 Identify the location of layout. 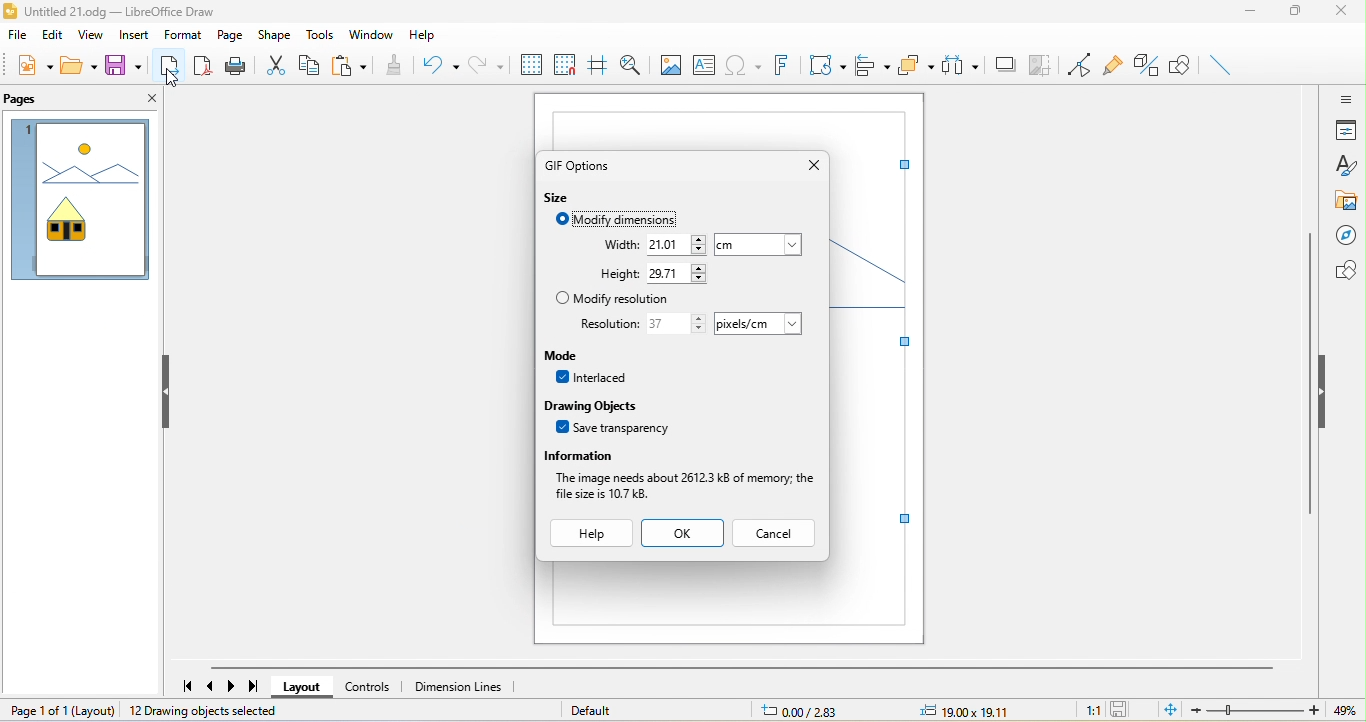
(303, 688).